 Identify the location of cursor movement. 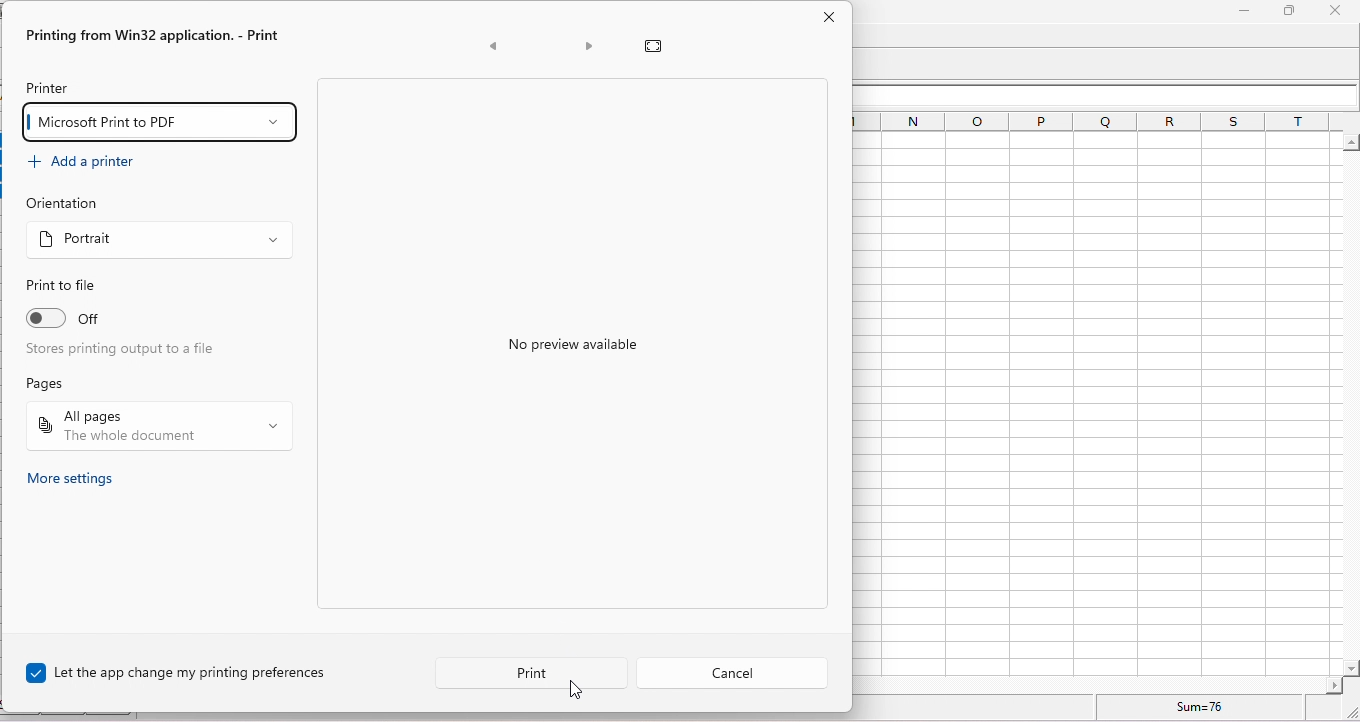
(581, 692).